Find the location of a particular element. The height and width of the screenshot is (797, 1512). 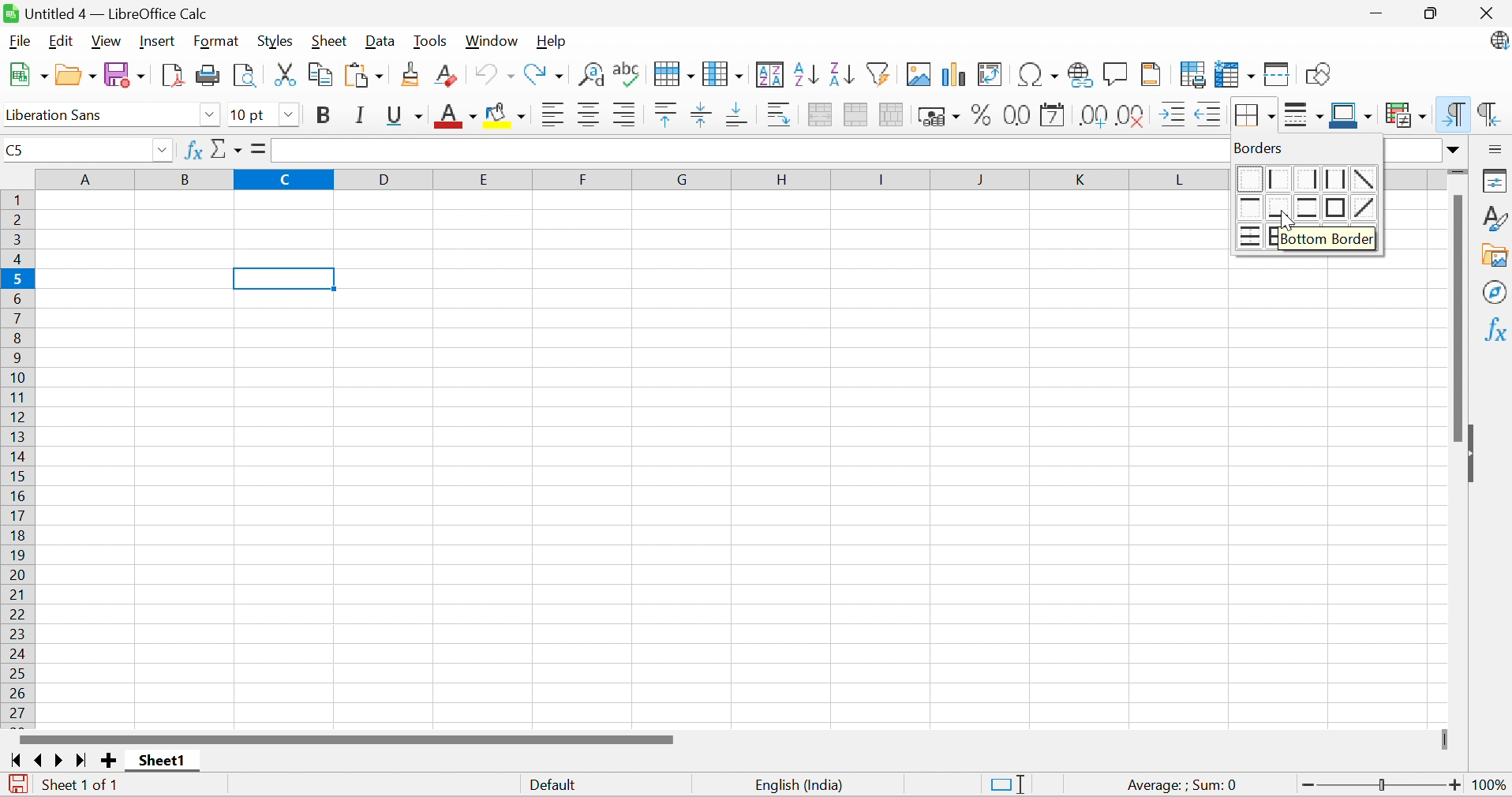

Drop down is located at coordinates (162, 152).